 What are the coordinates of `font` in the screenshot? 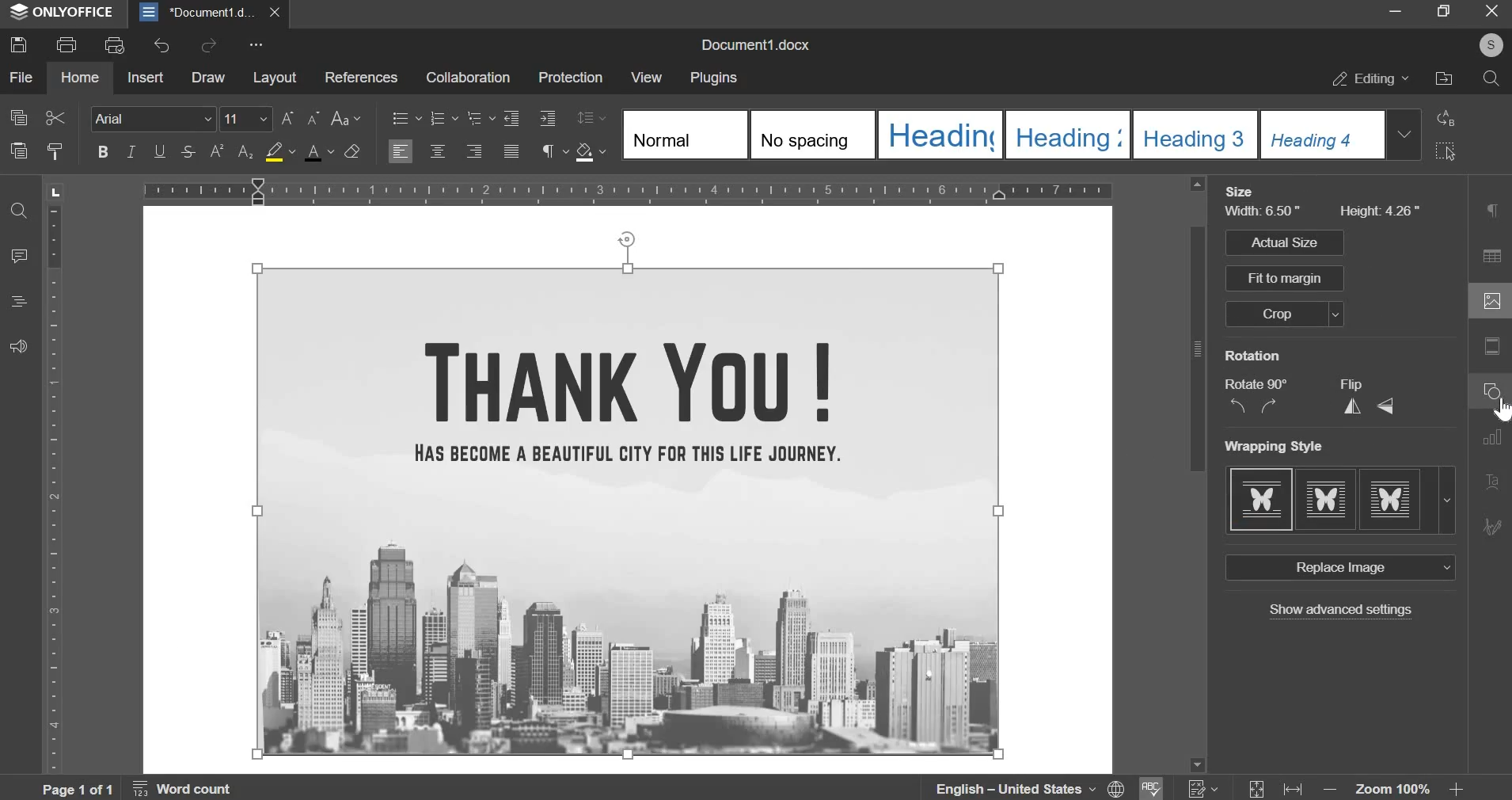 It's located at (151, 118).